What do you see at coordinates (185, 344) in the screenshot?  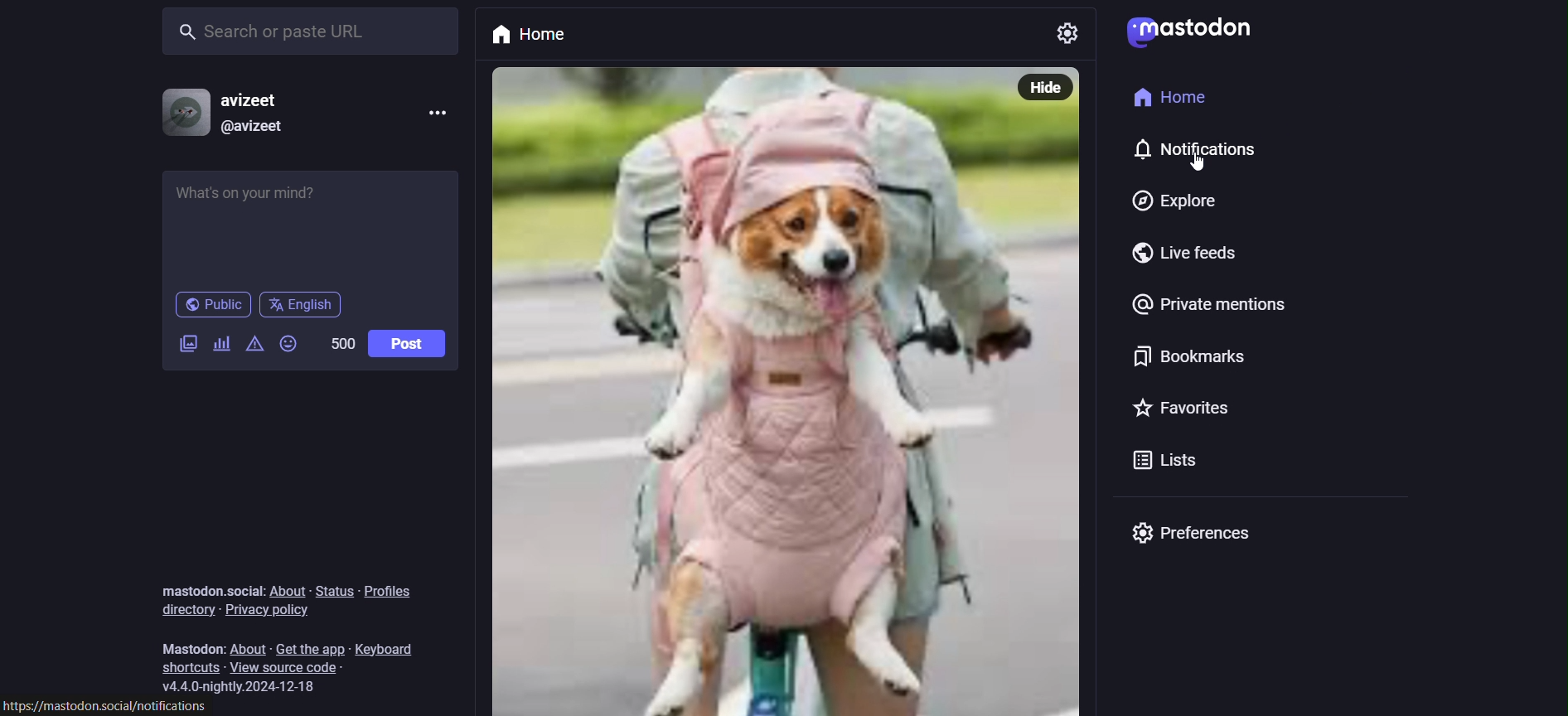 I see `add images` at bounding box center [185, 344].